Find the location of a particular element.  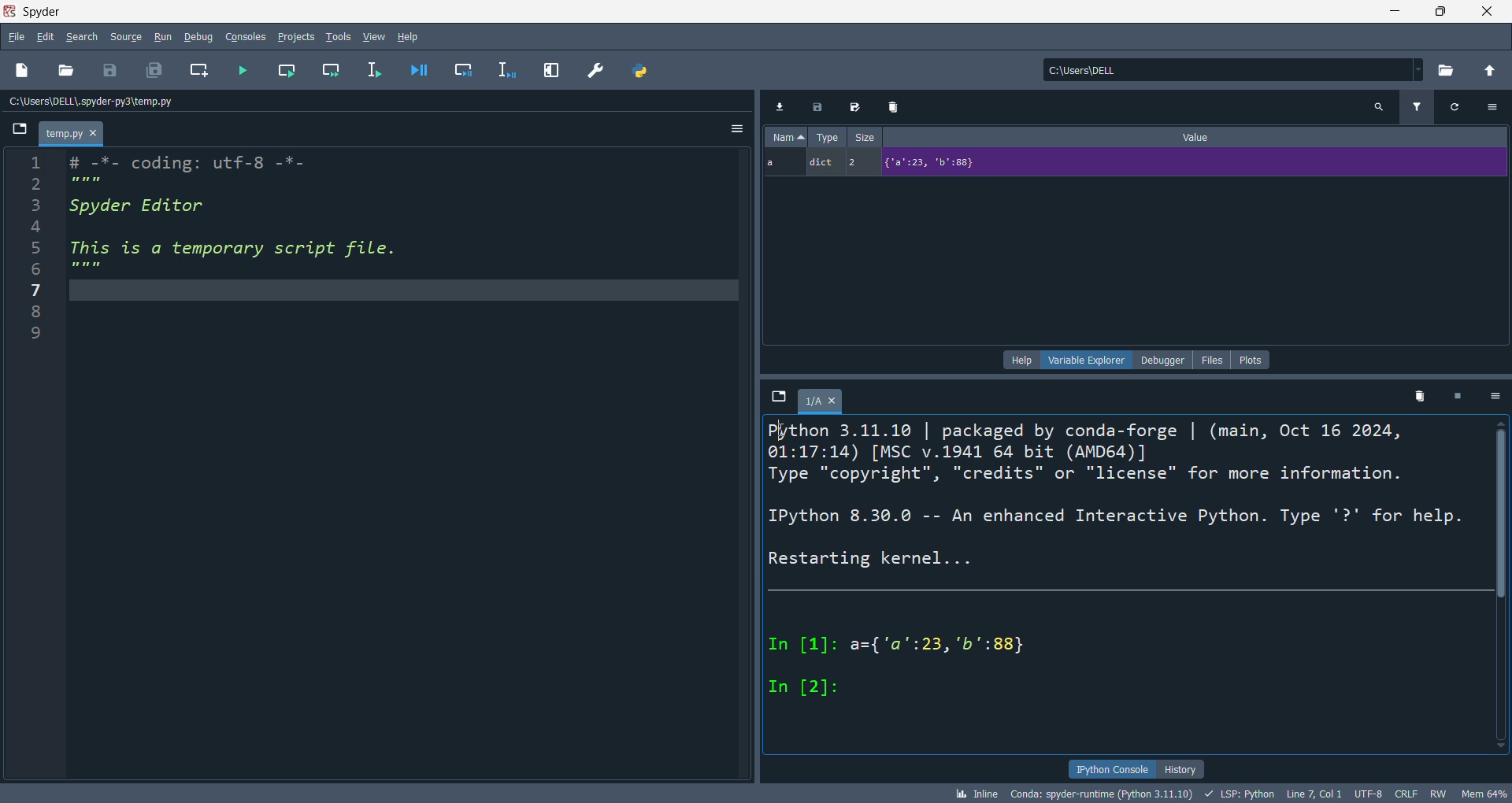

current directory: c:\users\dell is located at coordinates (1236, 71).